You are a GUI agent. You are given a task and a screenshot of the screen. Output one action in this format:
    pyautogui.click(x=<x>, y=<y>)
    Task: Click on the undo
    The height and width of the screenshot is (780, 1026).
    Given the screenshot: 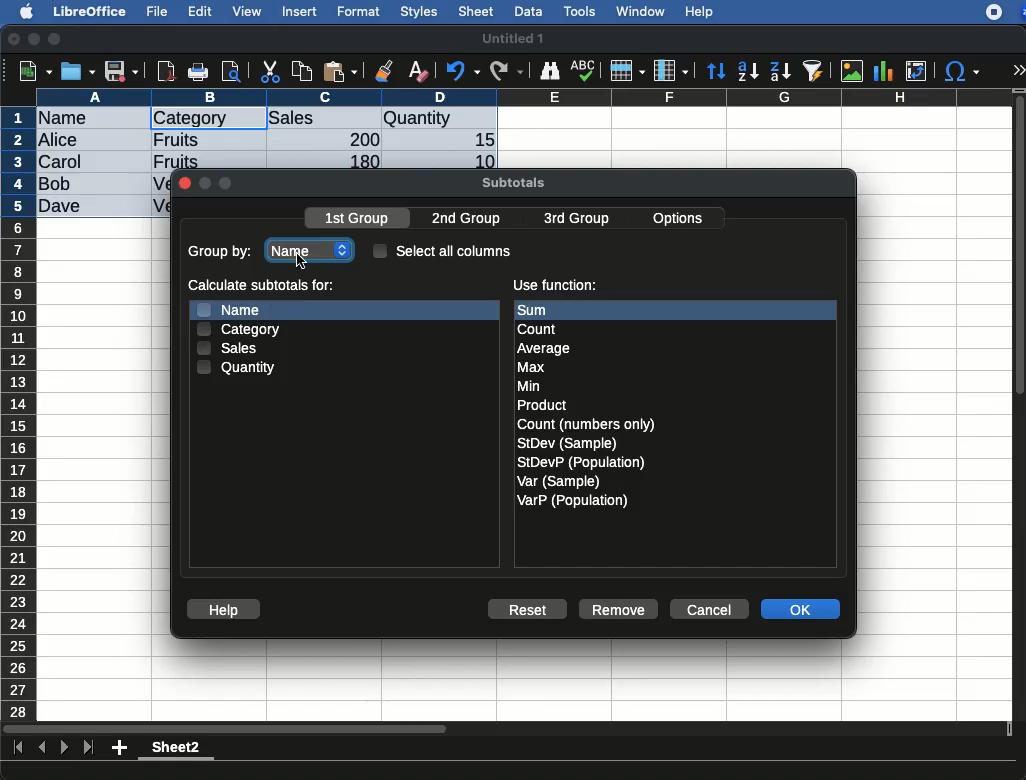 What is the action you would take?
    pyautogui.click(x=463, y=71)
    